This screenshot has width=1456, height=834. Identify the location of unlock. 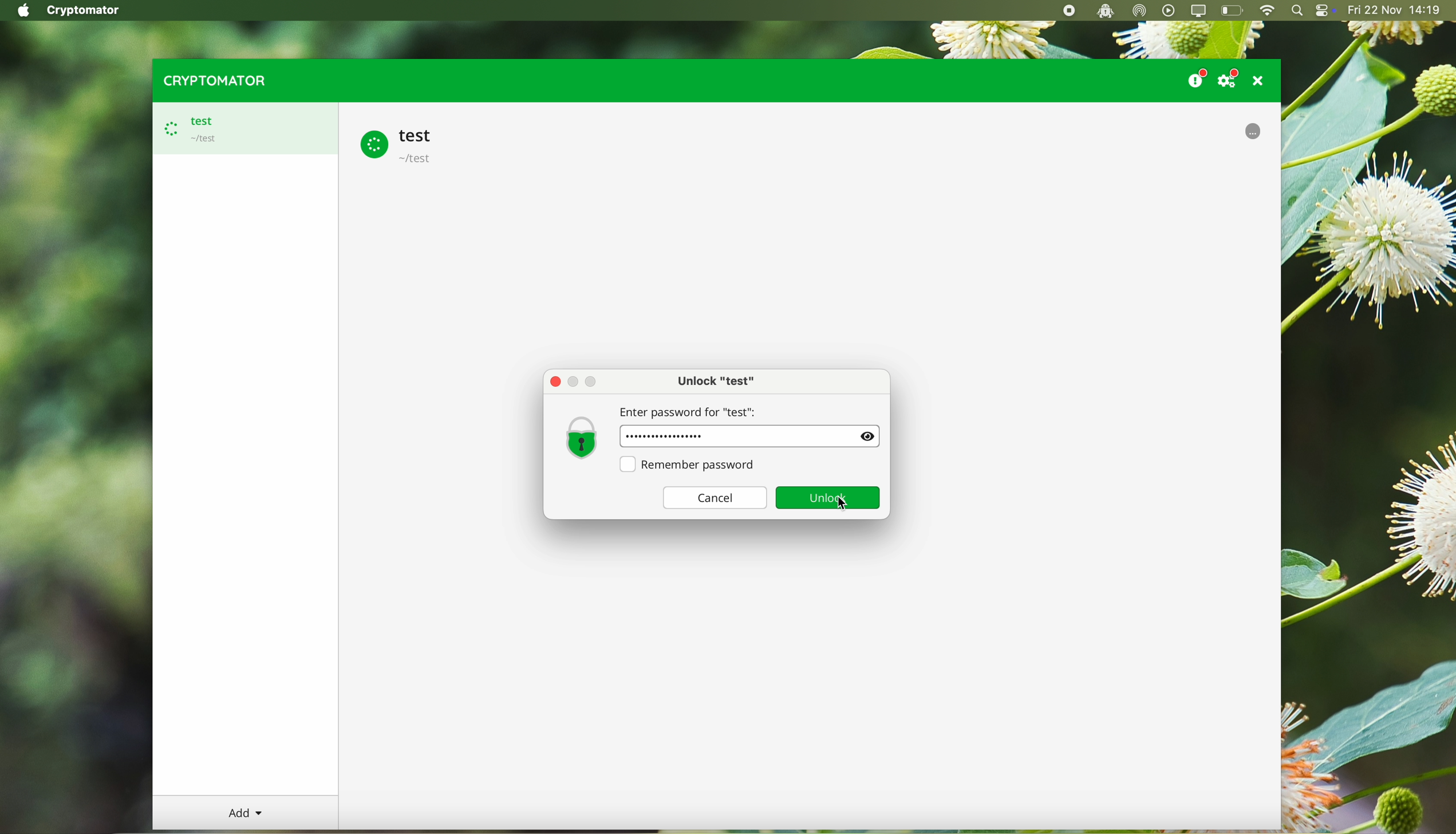
(831, 499).